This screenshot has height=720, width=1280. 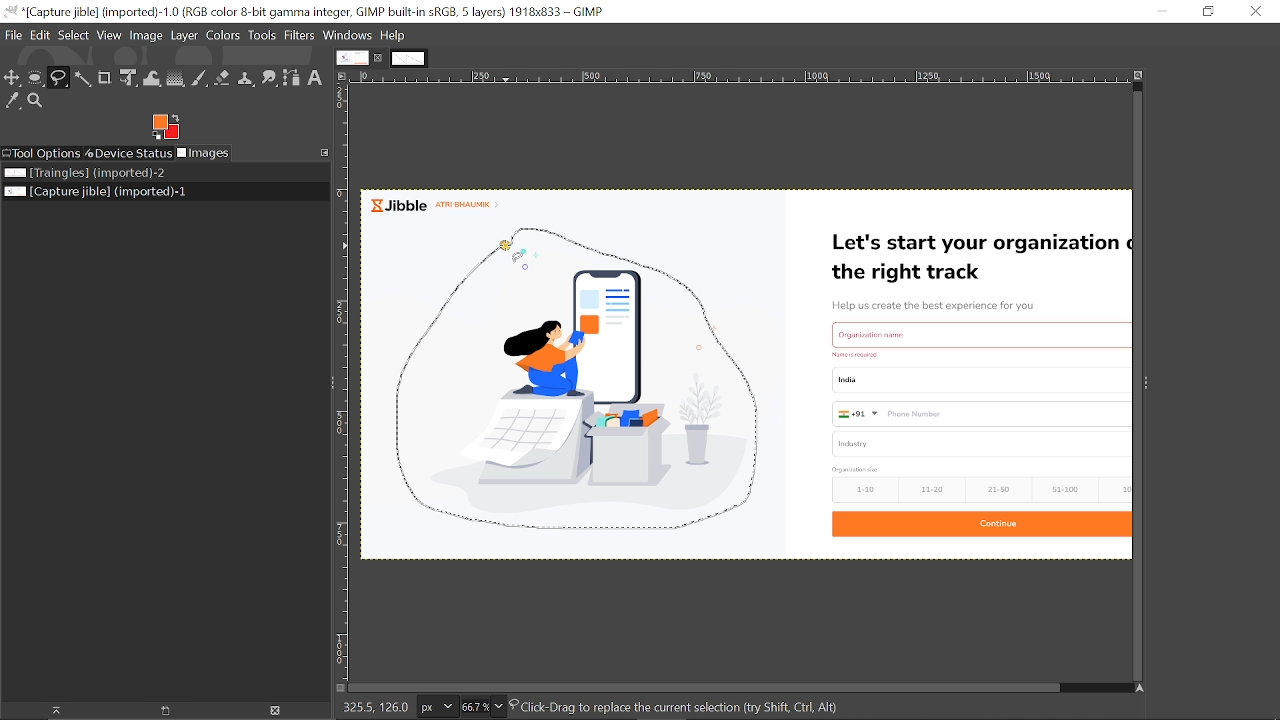 I want to click on Current image, so click(x=749, y=379).